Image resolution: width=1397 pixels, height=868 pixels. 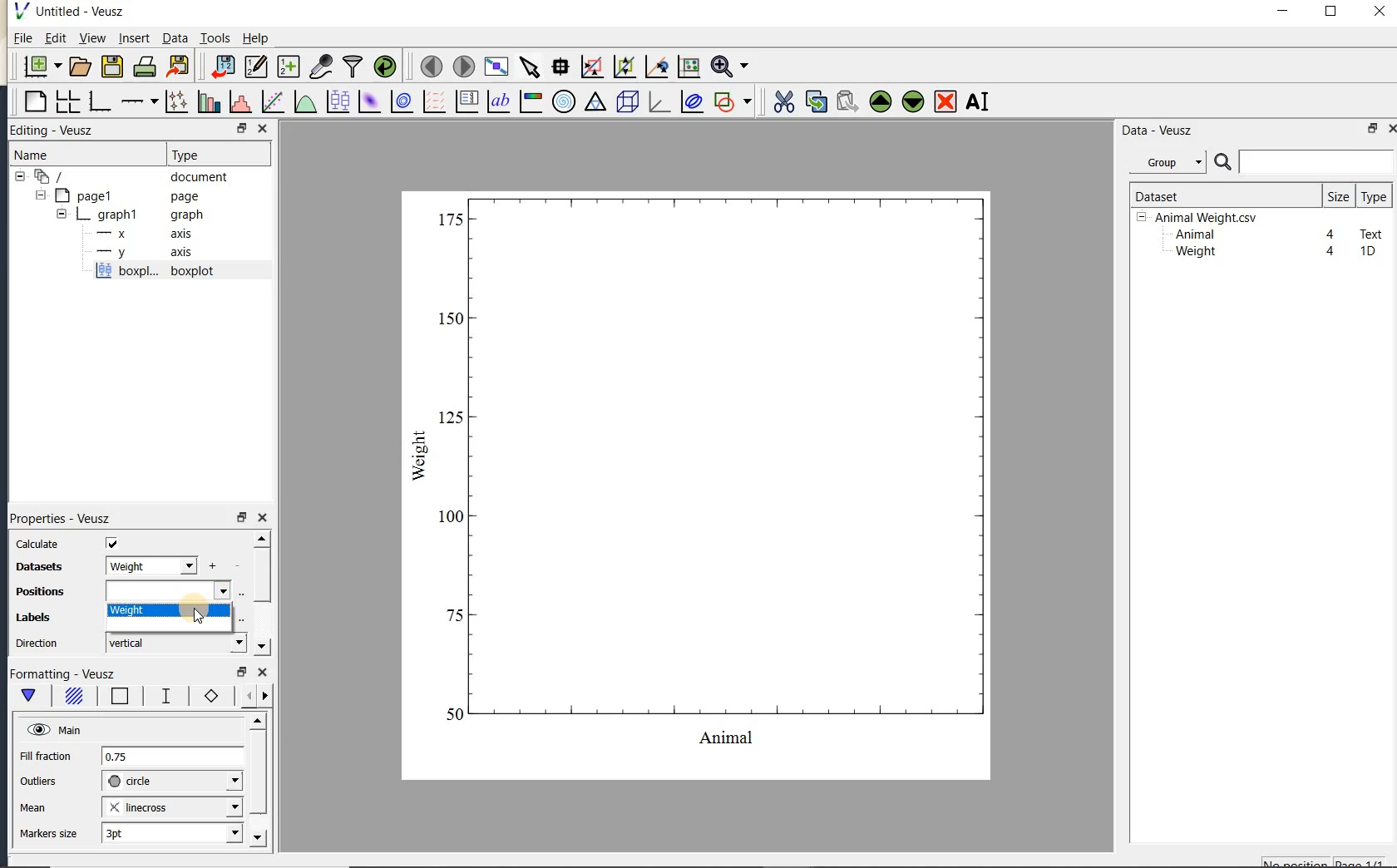 What do you see at coordinates (145, 67) in the screenshot?
I see `print the document` at bounding box center [145, 67].